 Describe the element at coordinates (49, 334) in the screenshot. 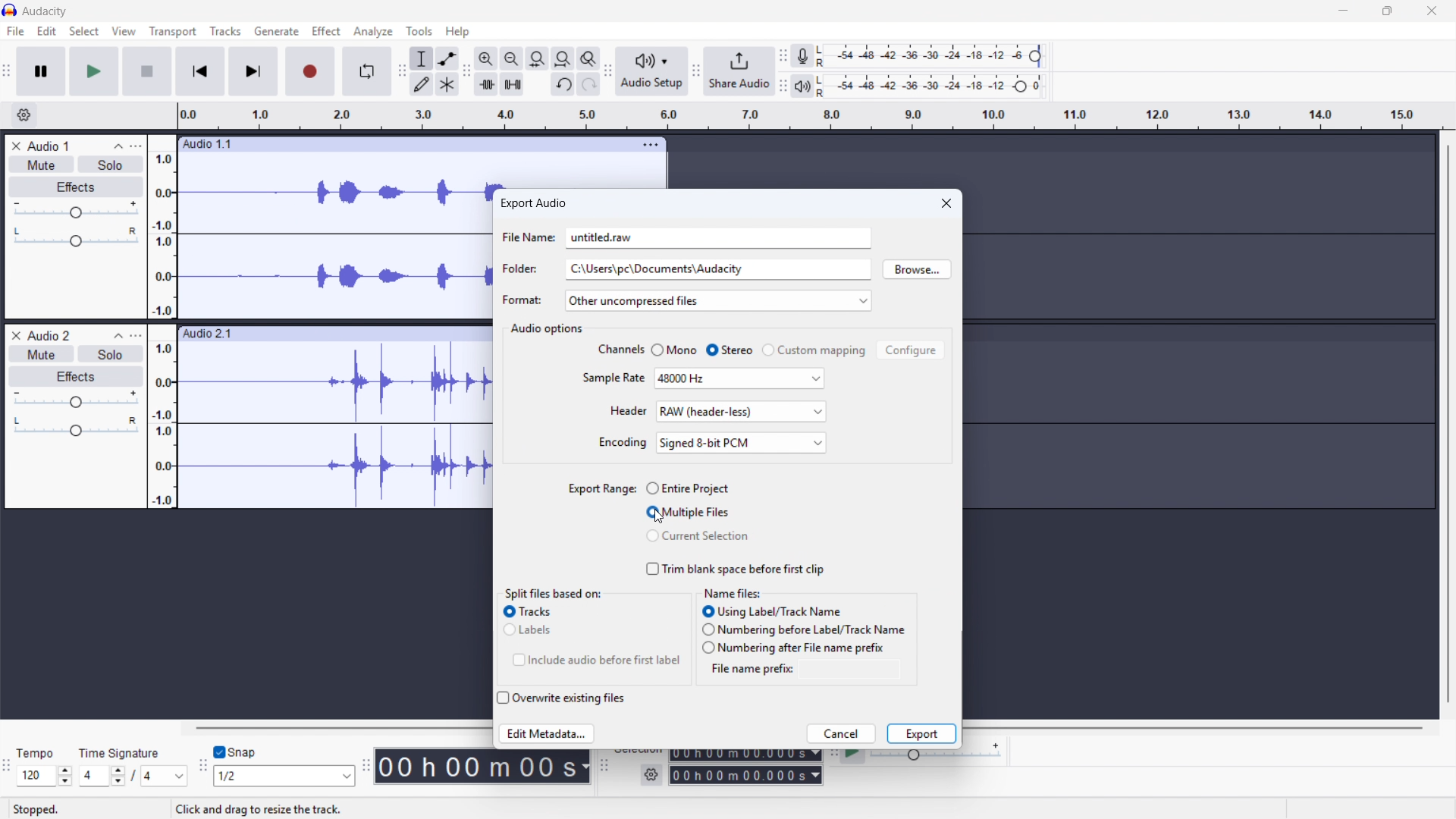

I see `Audio 2` at that location.